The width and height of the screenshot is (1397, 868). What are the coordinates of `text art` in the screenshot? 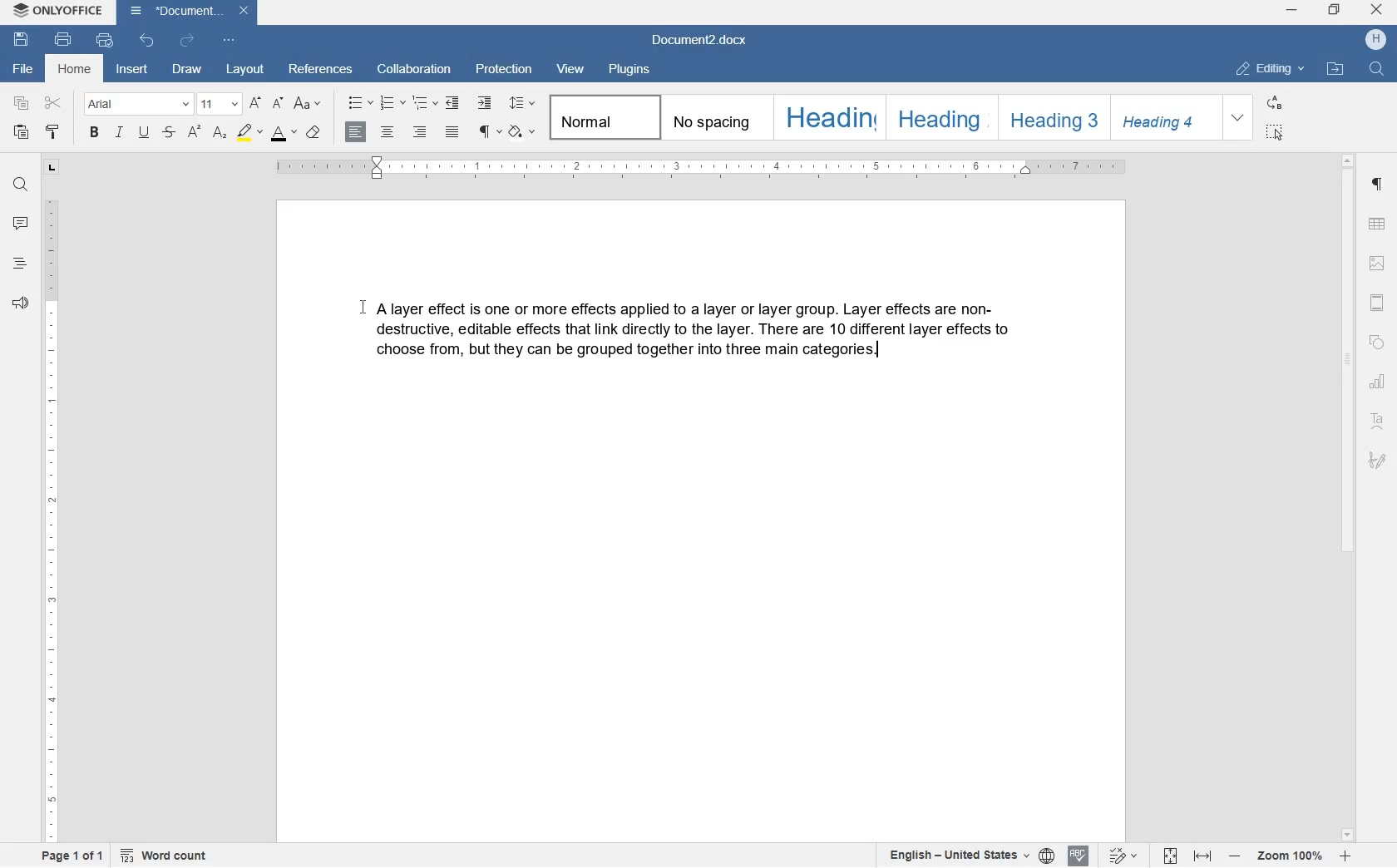 It's located at (1378, 421).